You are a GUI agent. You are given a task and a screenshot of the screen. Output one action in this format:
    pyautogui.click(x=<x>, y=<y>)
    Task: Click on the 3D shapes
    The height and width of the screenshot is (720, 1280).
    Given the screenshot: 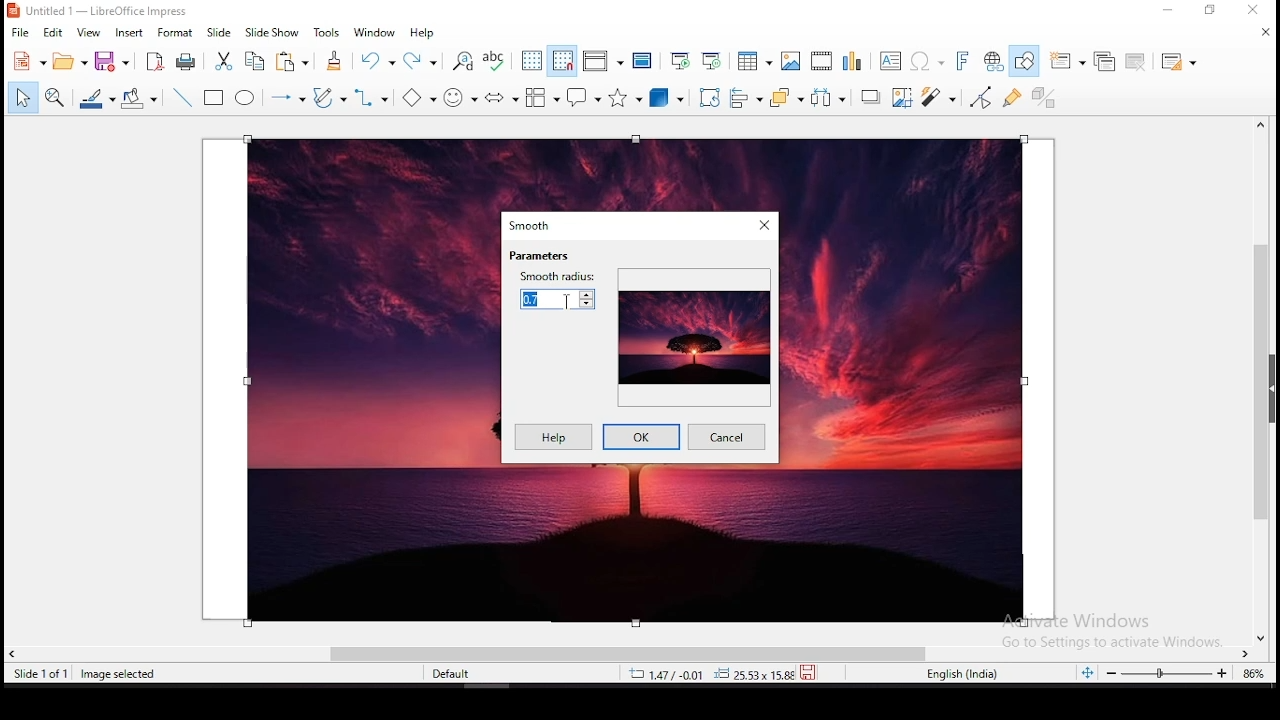 What is the action you would take?
    pyautogui.click(x=667, y=100)
    